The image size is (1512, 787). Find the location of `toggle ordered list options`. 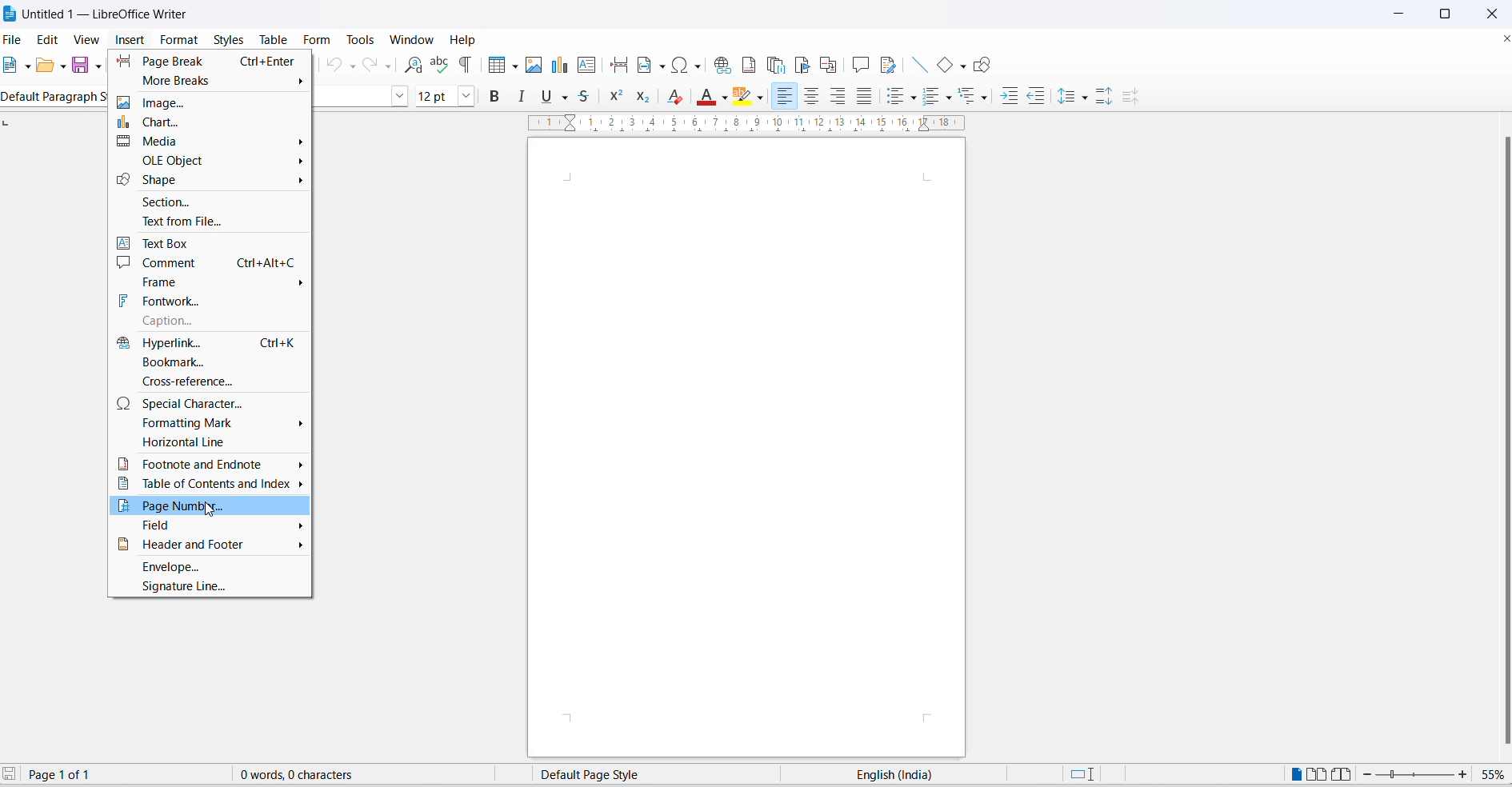

toggle ordered list options is located at coordinates (948, 98).